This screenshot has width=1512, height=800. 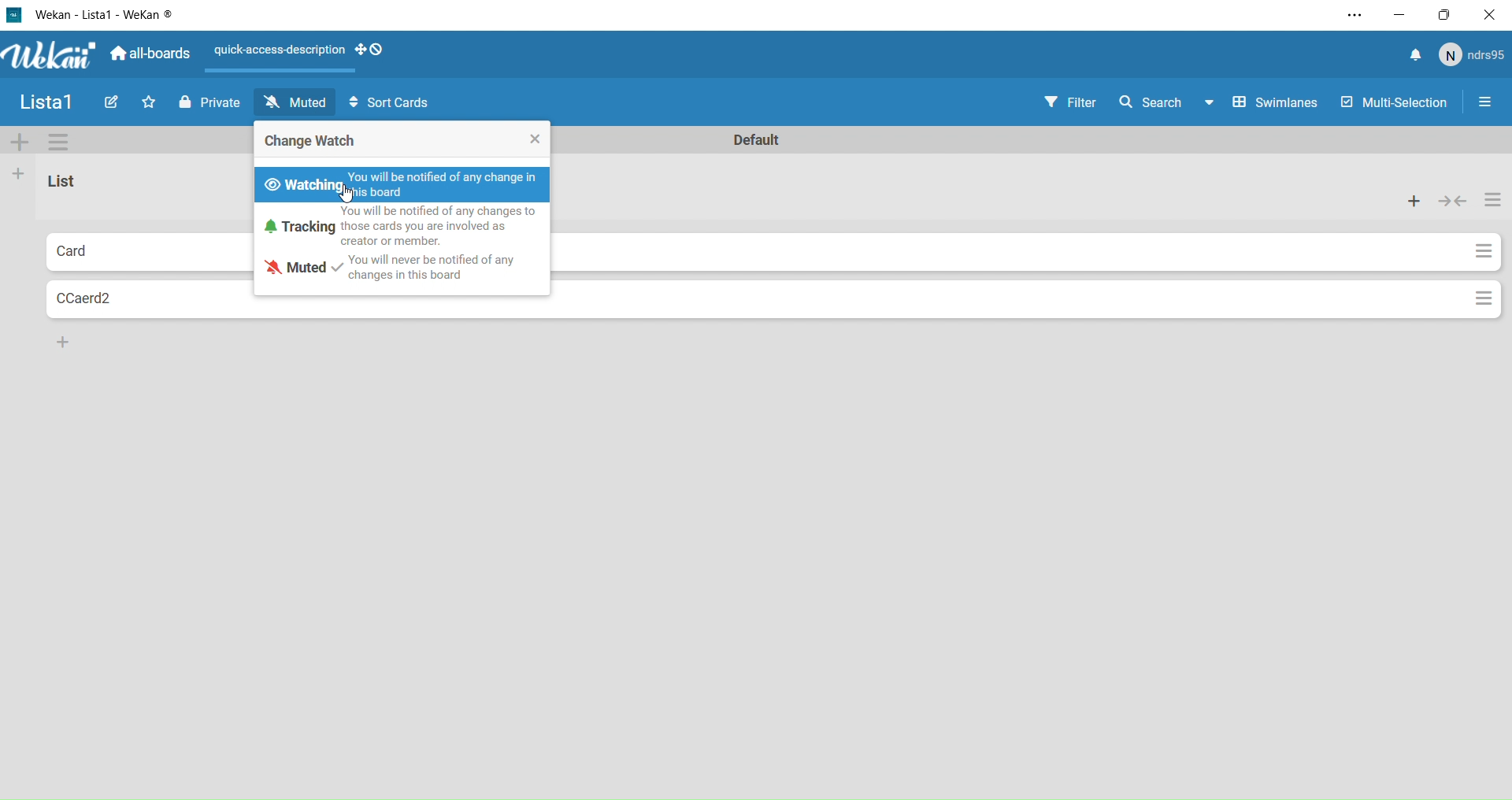 What do you see at coordinates (757, 138) in the screenshot?
I see `Default` at bounding box center [757, 138].